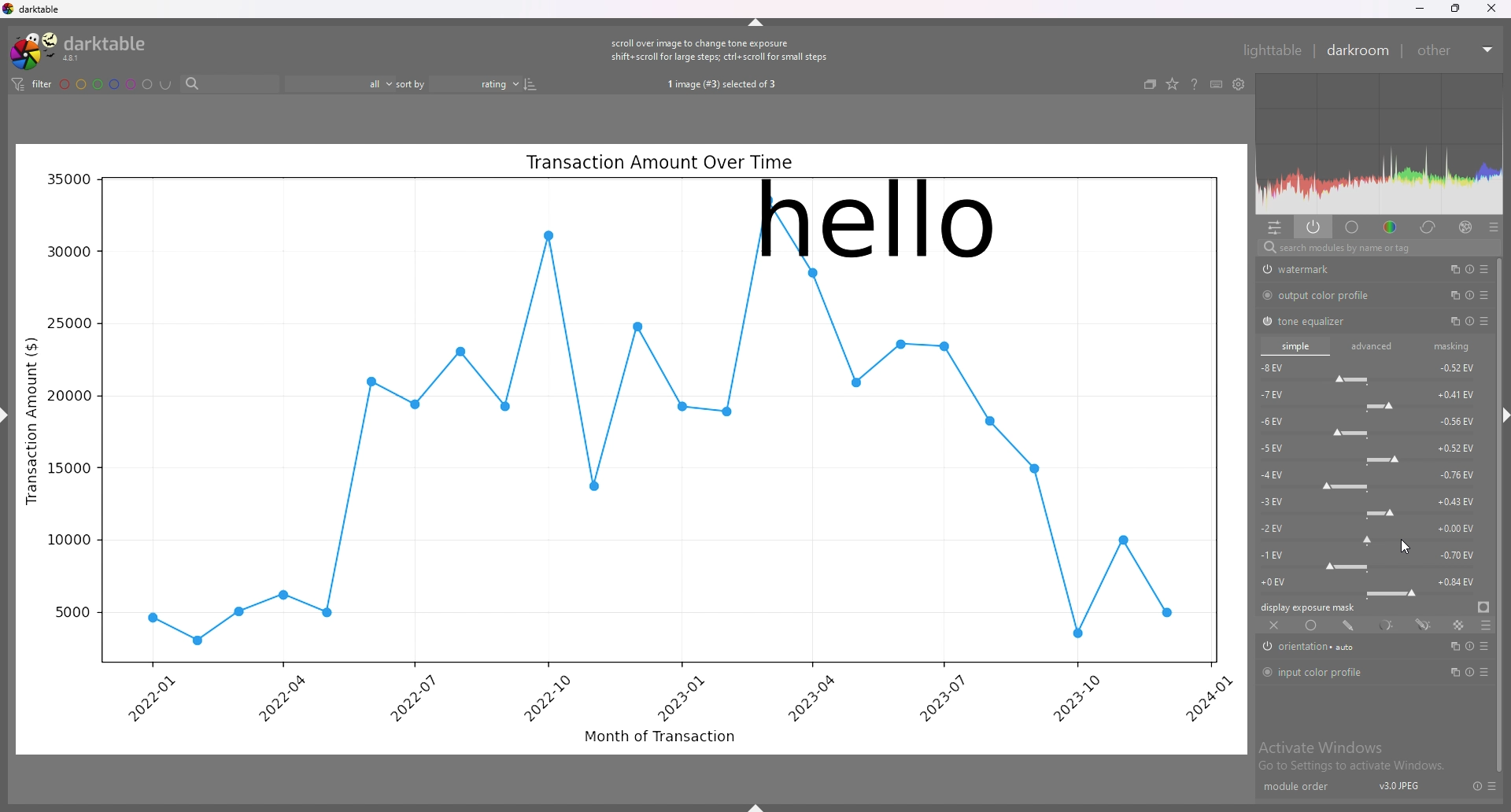 The height and width of the screenshot is (812, 1511). What do you see at coordinates (1385, 625) in the screenshot?
I see `parametric mask` at bounding box center [1385, 625].